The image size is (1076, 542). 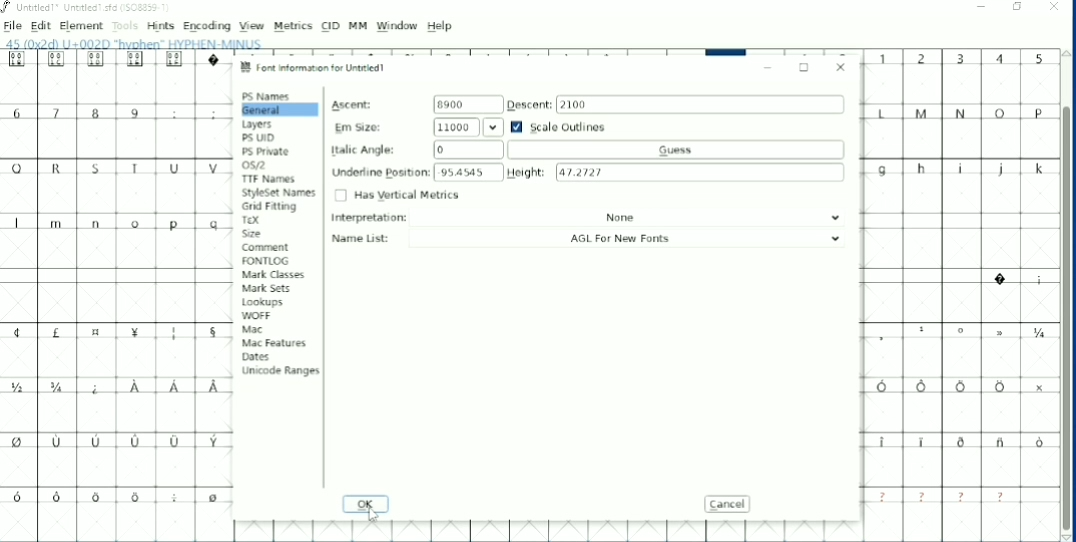 What do you see at coordinates (252, 330) in the screenshot?
I see `Mac` at bounding box center [252, 330].